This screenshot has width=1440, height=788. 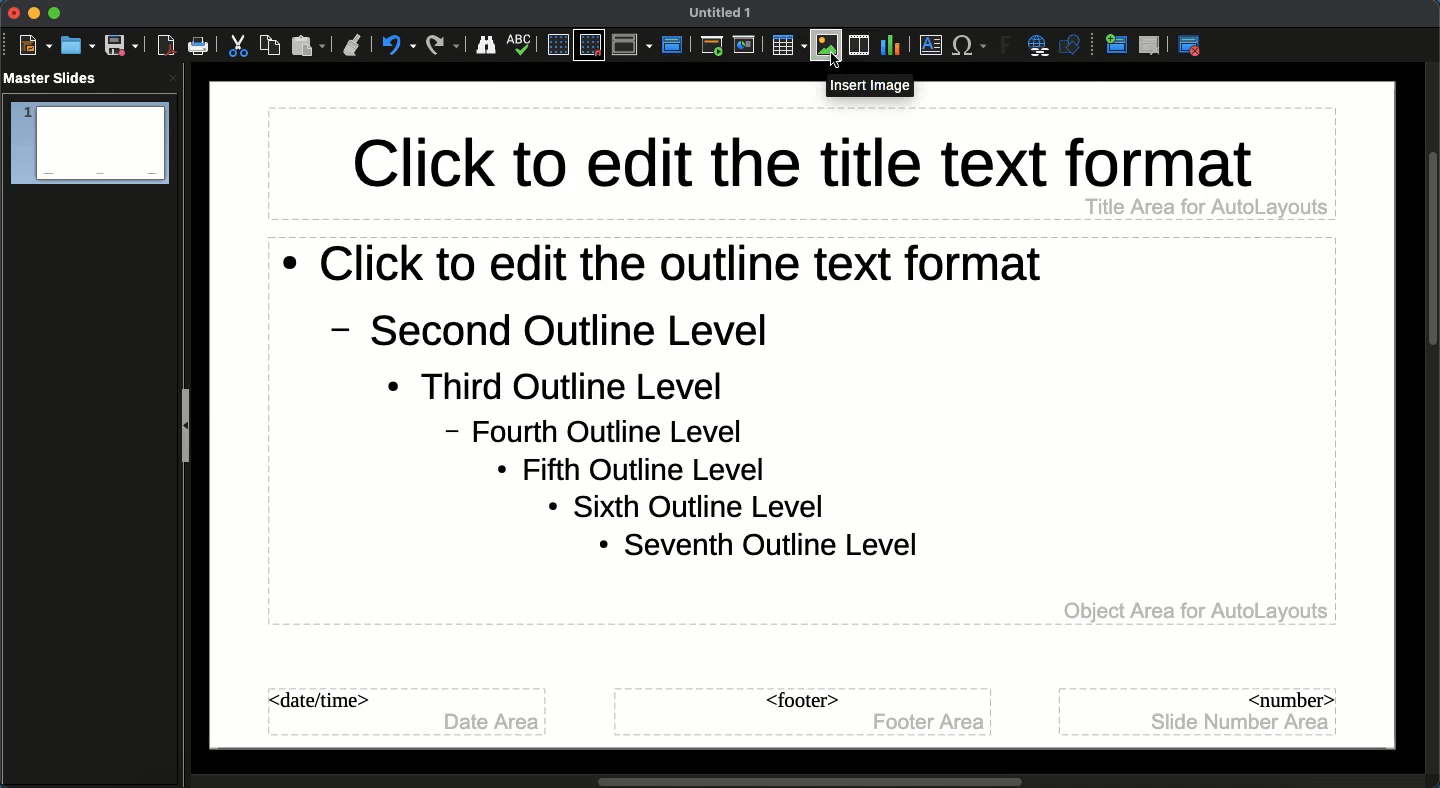 I want to click on Display grid, so click(x=558, y=45).